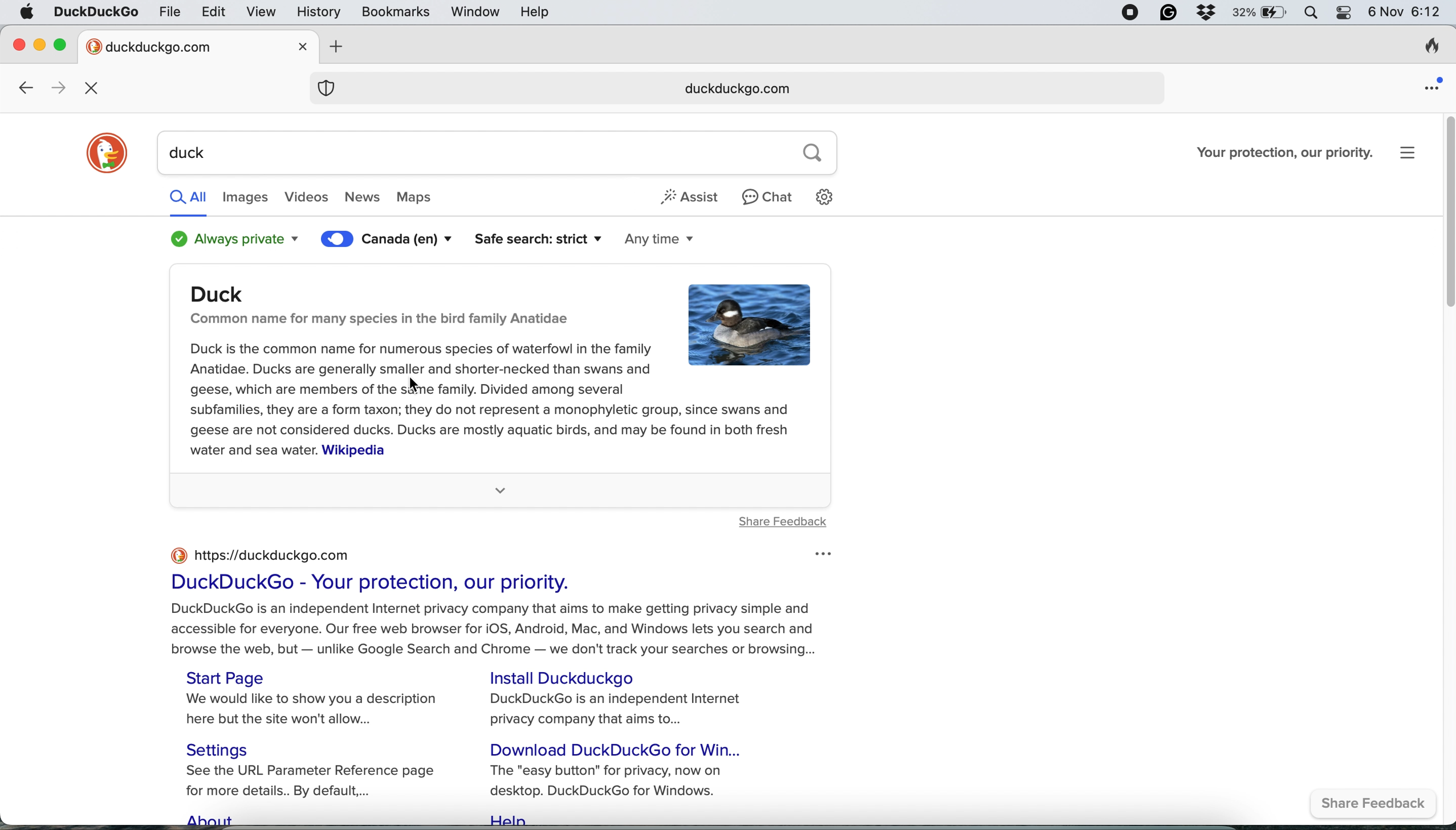 The width and height of the screenshot is (1456, 830). I want to click on window, so click(477, 13).